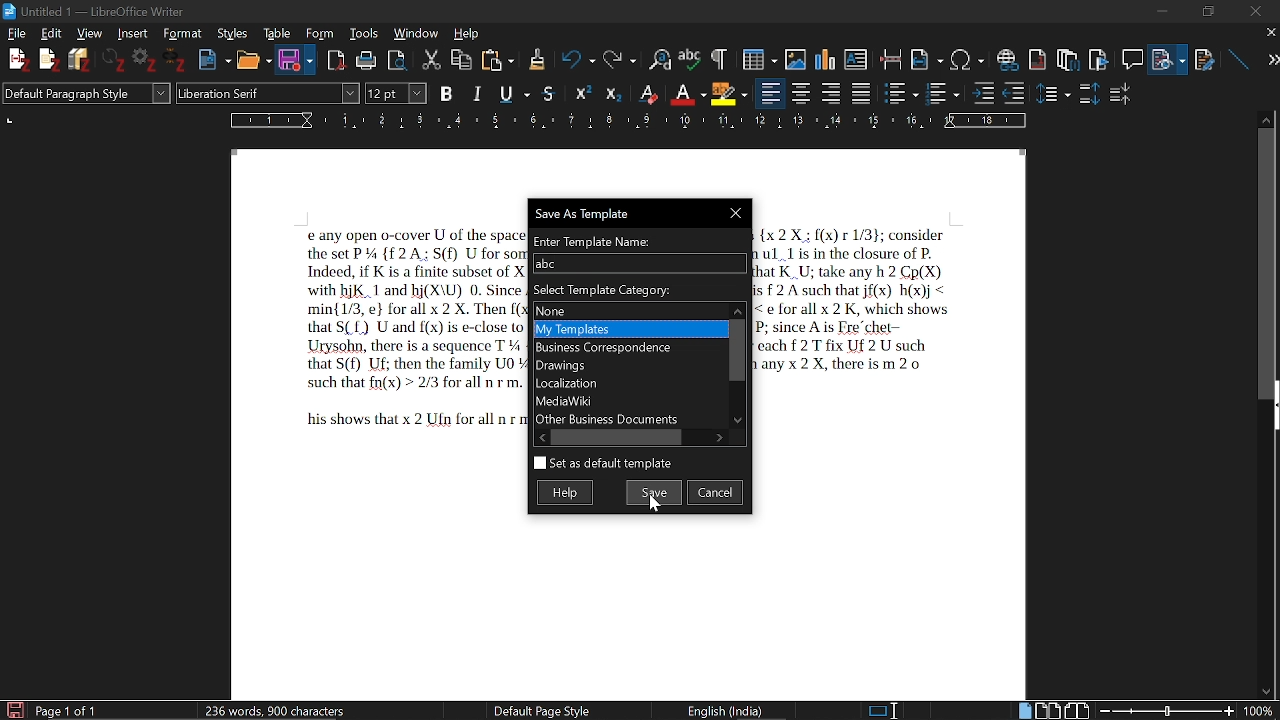  What do you see at coordinates (620, 437) in the screenshot?
I see `Horizontal scrollbar` at bounding box center [620, 437].